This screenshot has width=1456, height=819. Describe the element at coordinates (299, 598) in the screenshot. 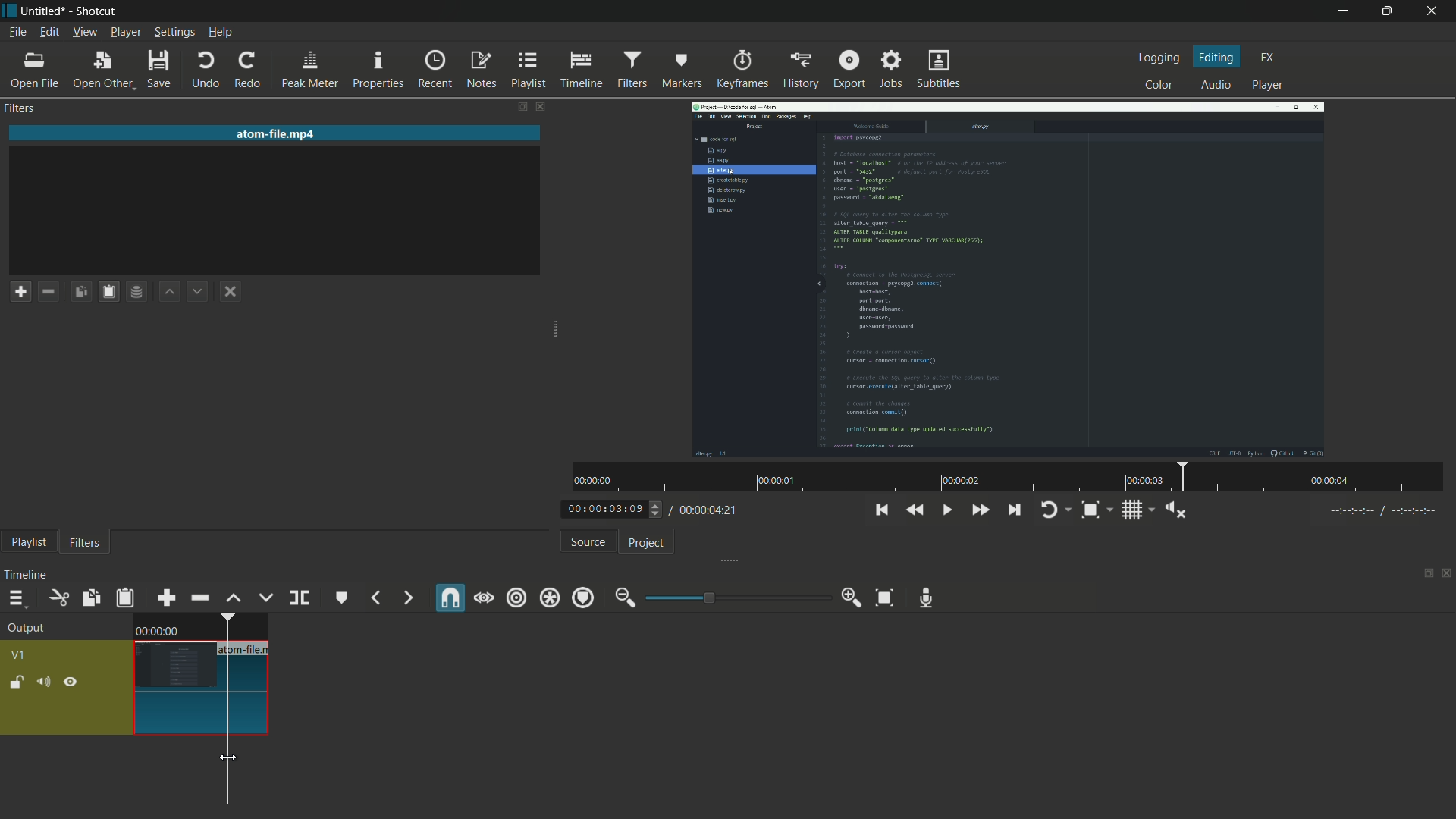

I see `split at playhead` at that location.